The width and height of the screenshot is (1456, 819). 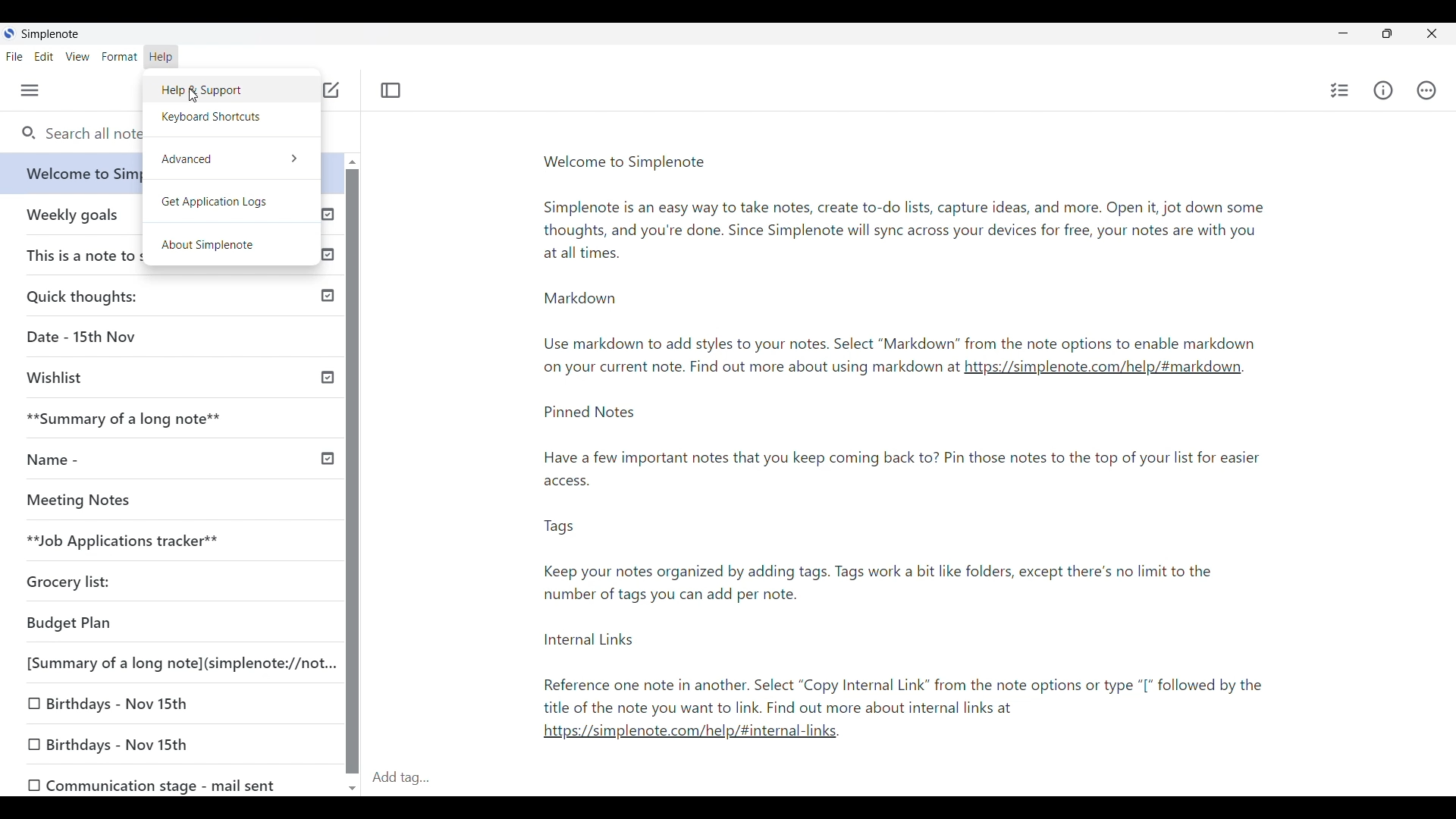 What do you see at coordinates (352, 472) in the screenshot?
I see `Vertical slide bar` at bounding box center [352, 472].